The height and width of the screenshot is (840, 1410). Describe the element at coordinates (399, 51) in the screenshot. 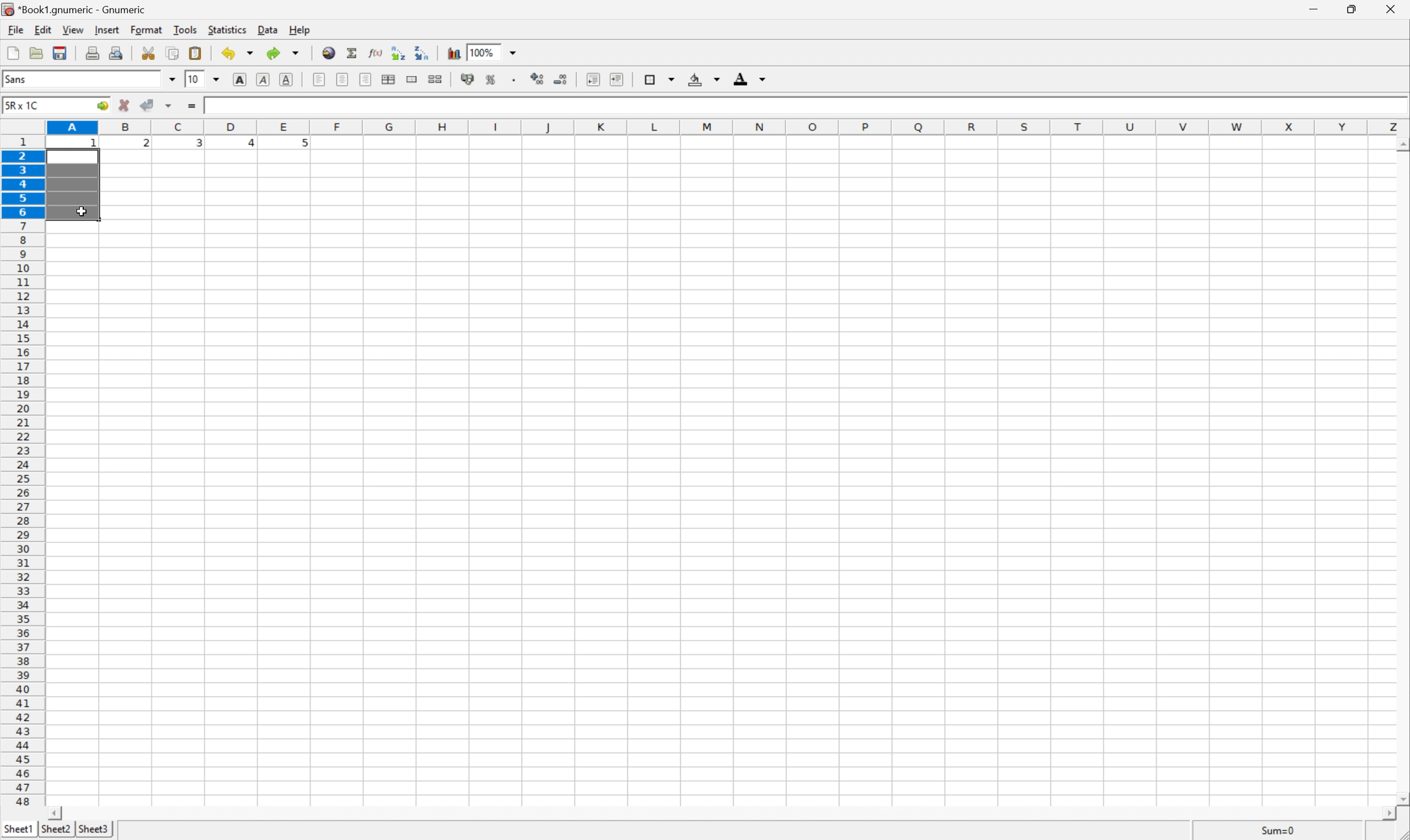

I see `Sort the selected region in ascending order based on the first column selected` at that location.